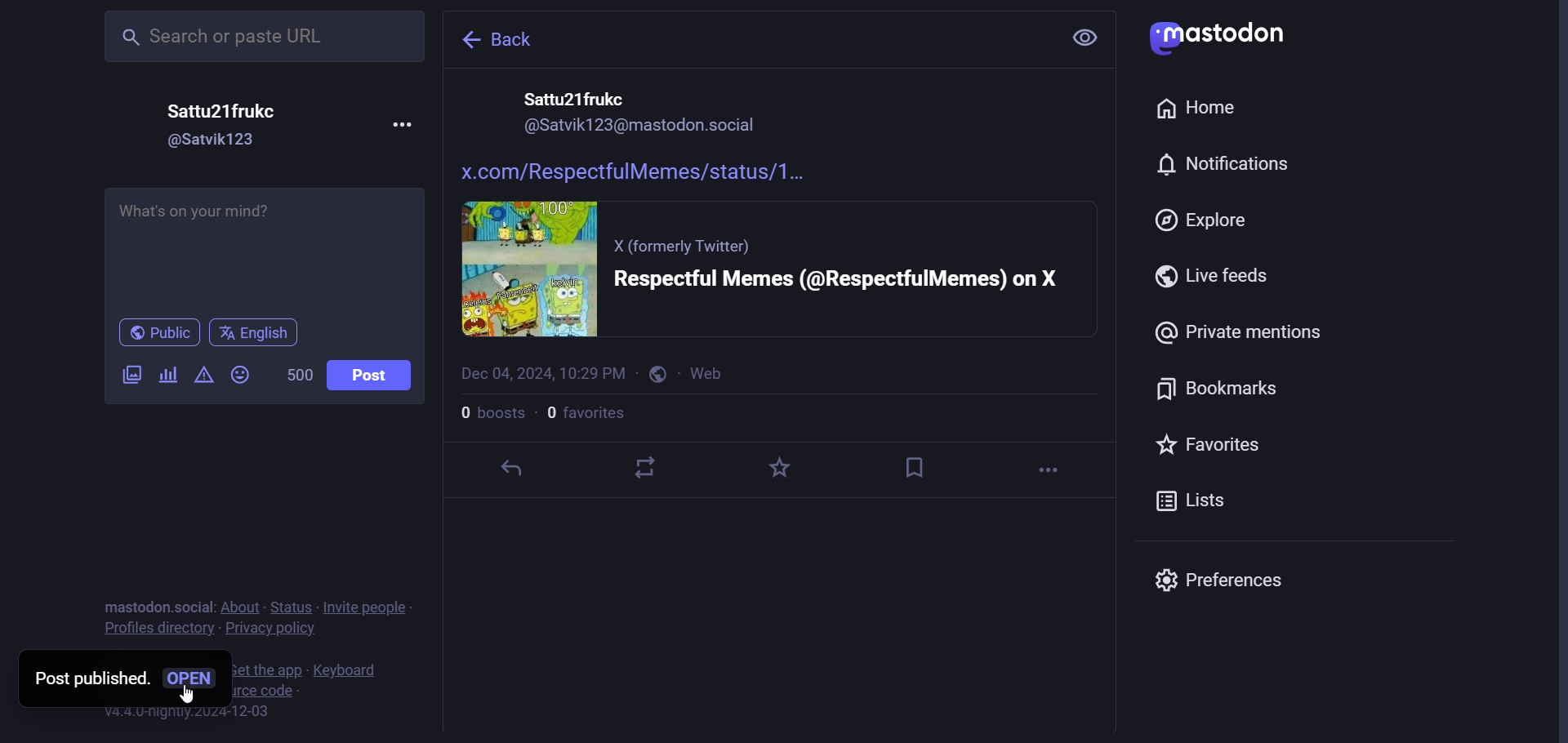 The height and width of the screenshot is (743, 1568). Describe the element at coordinates (291, 608) in the screenshot. I see `status` at that location.